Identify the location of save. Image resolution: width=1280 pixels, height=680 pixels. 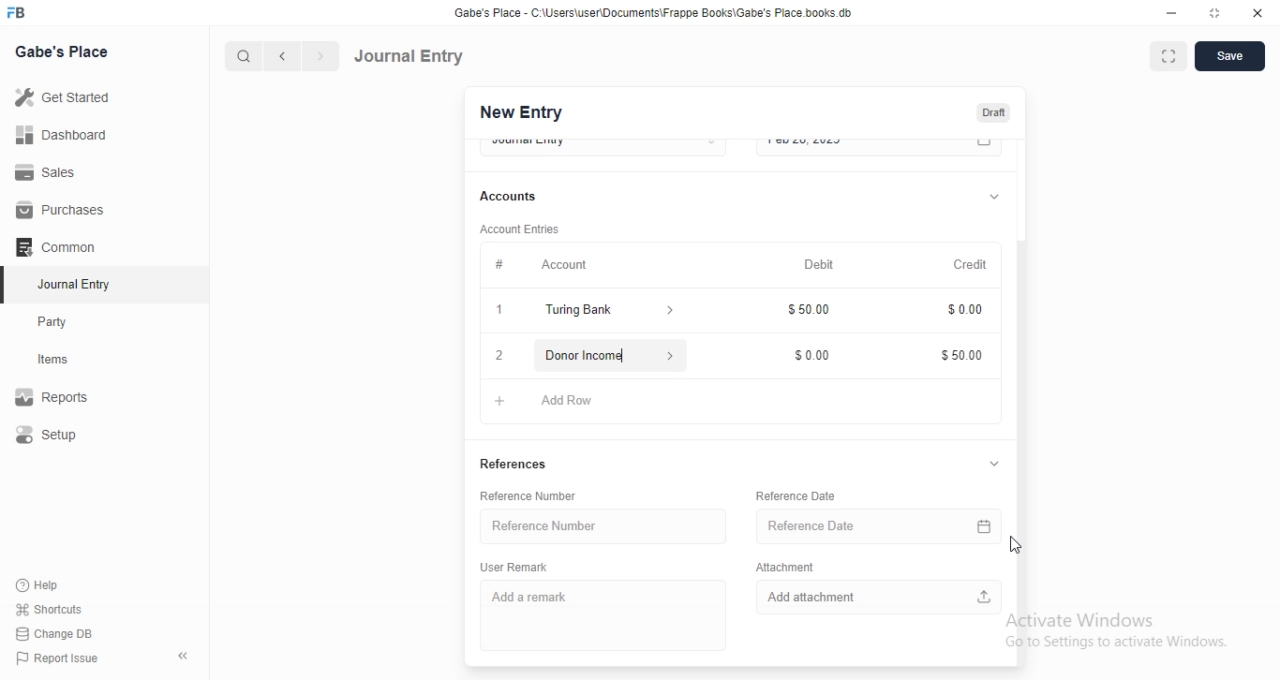
(1232, 56).